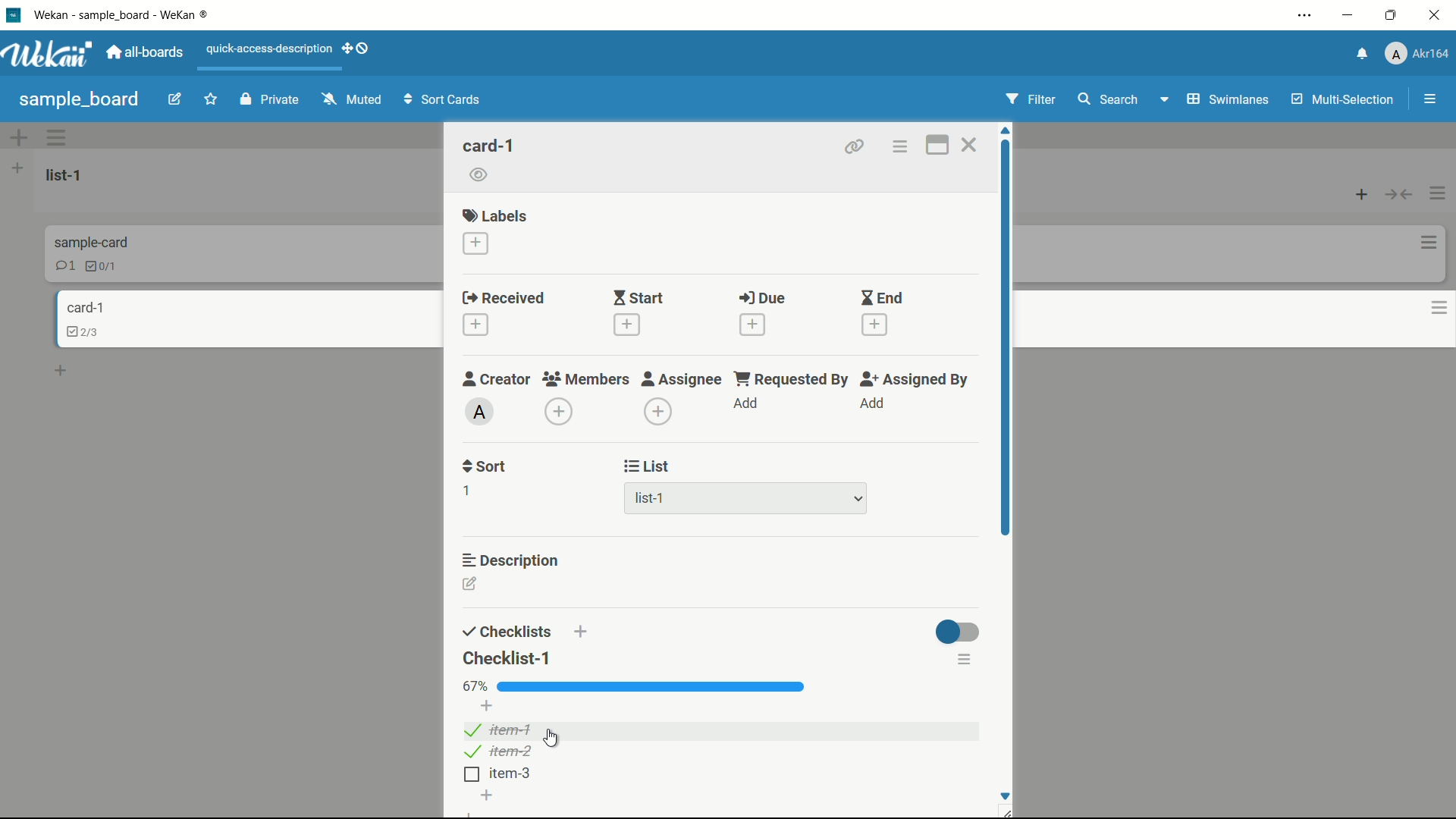 The height and width of the screenshot is (819, 1456). What do you see at coordinates (61, 371) in the screenshot?
I see `add card` at bounding box center [61, 371].